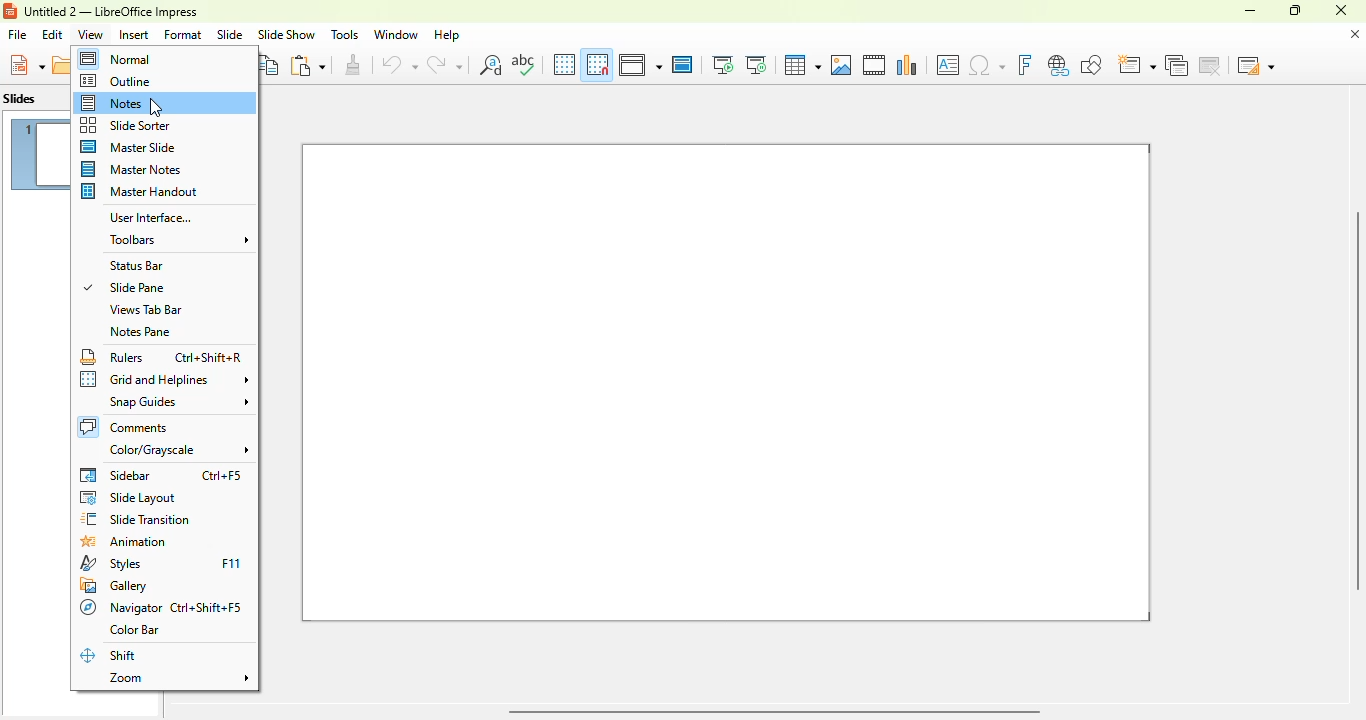 This screenshot has height=720, width=1366. Describe the element at coordinates (1354, 400) in the screenshot. I see `vertical scroll bar` at that location.